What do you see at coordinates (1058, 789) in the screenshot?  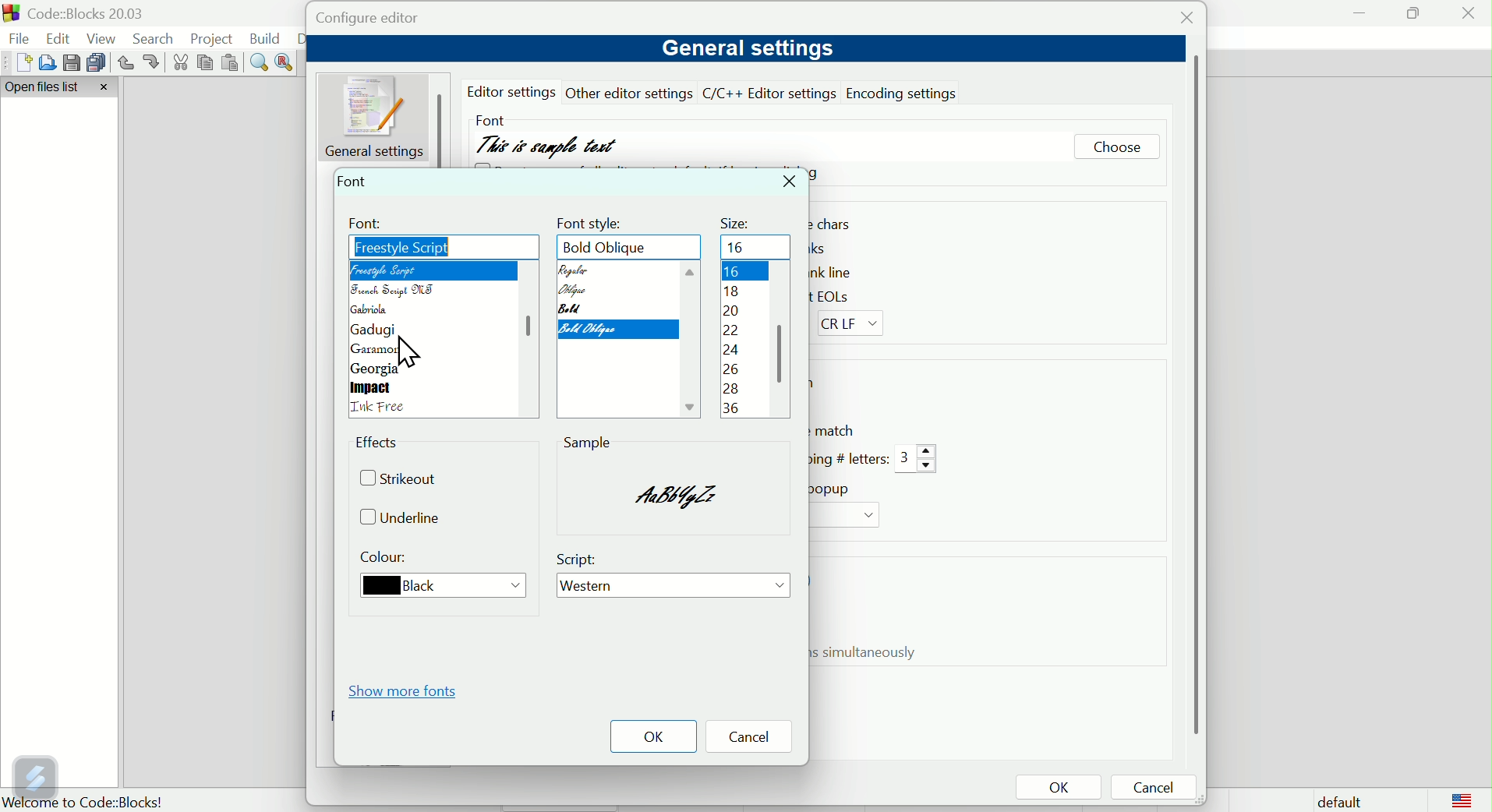 I see `OK` at bounding box center [1058, 789].